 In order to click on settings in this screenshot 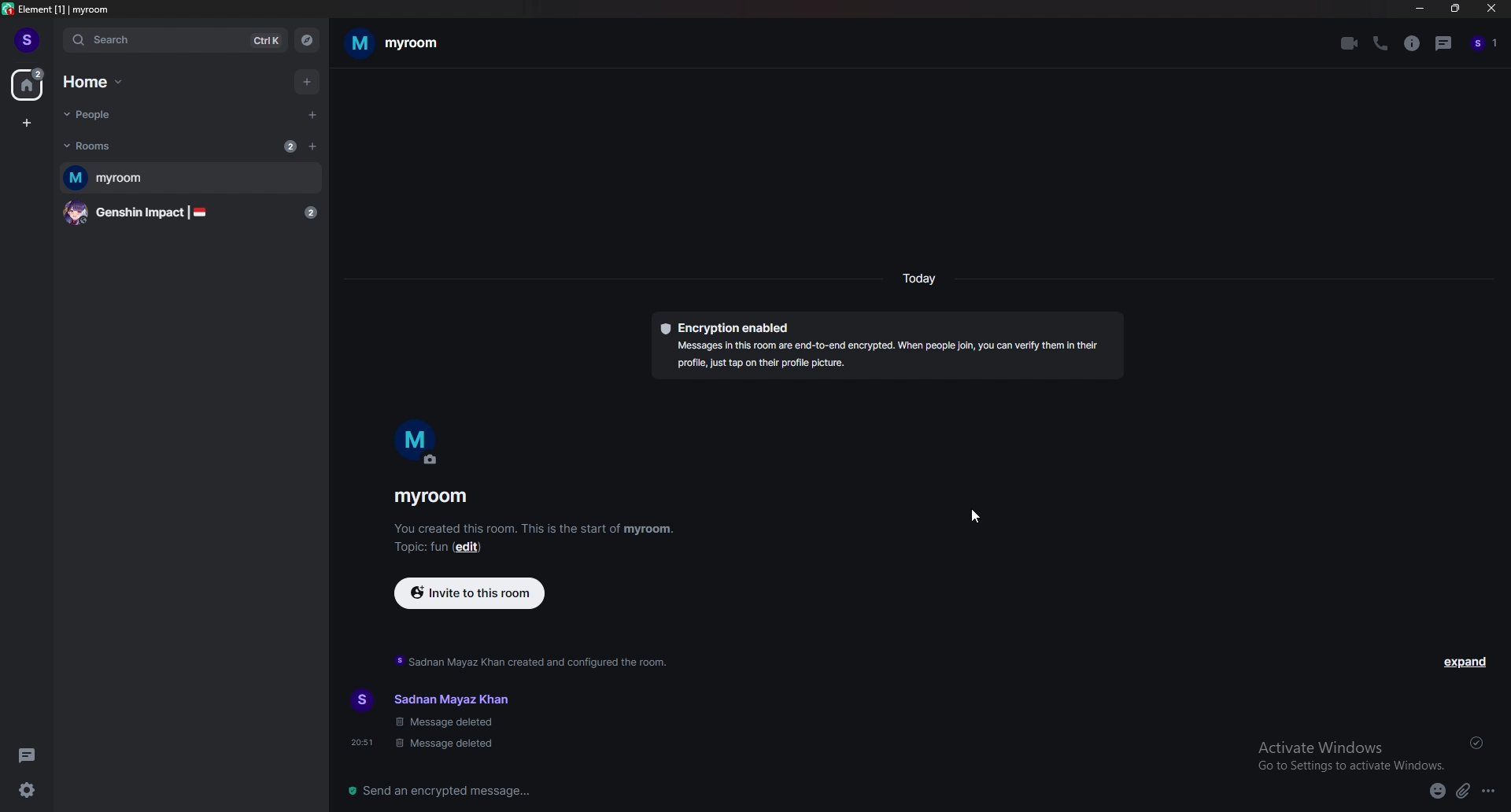, I will do `click(27, 790)`.